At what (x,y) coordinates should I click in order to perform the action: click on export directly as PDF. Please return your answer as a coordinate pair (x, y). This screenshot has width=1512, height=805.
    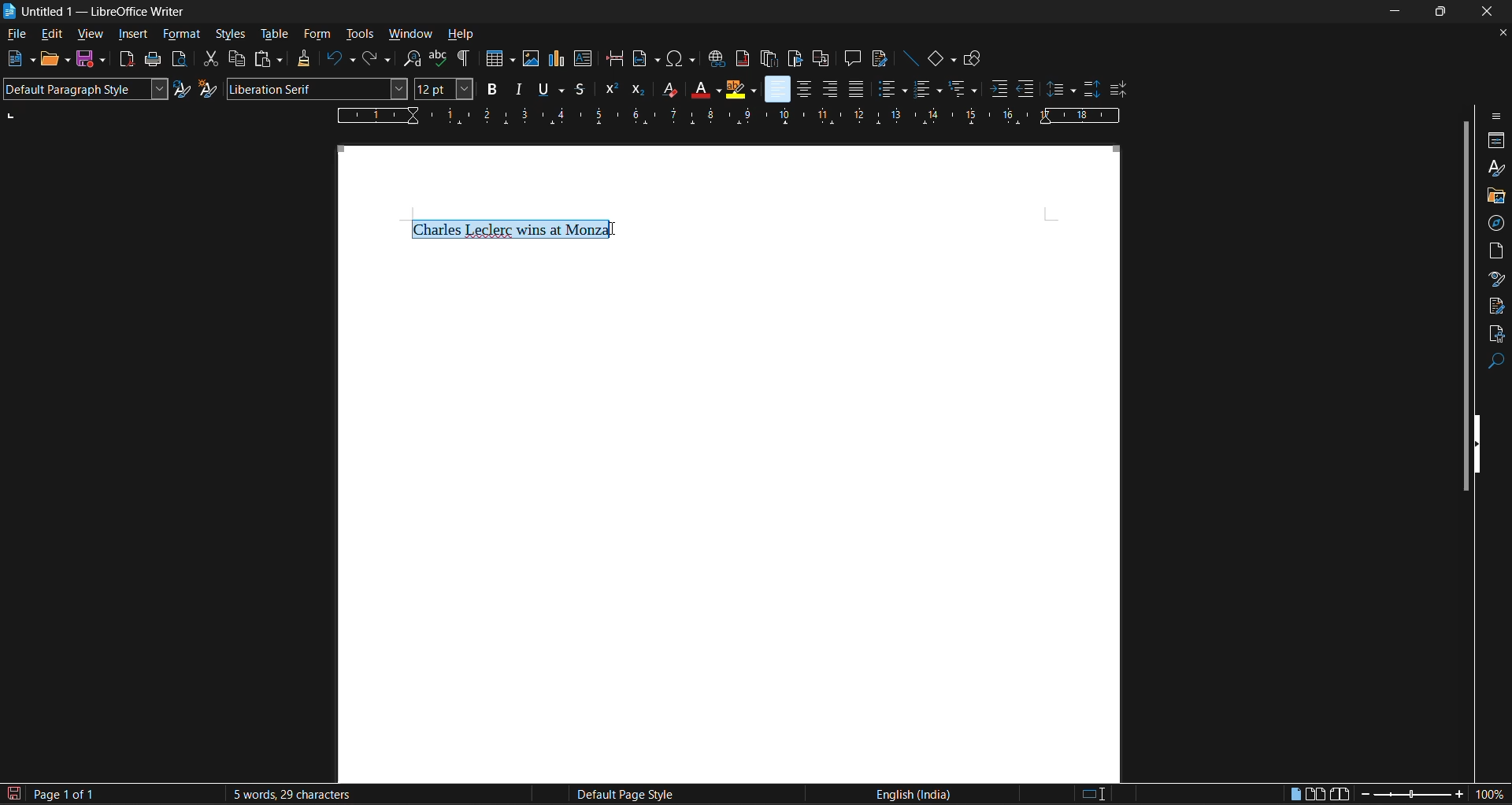
    Looking at the image, I should click on (124, 60).